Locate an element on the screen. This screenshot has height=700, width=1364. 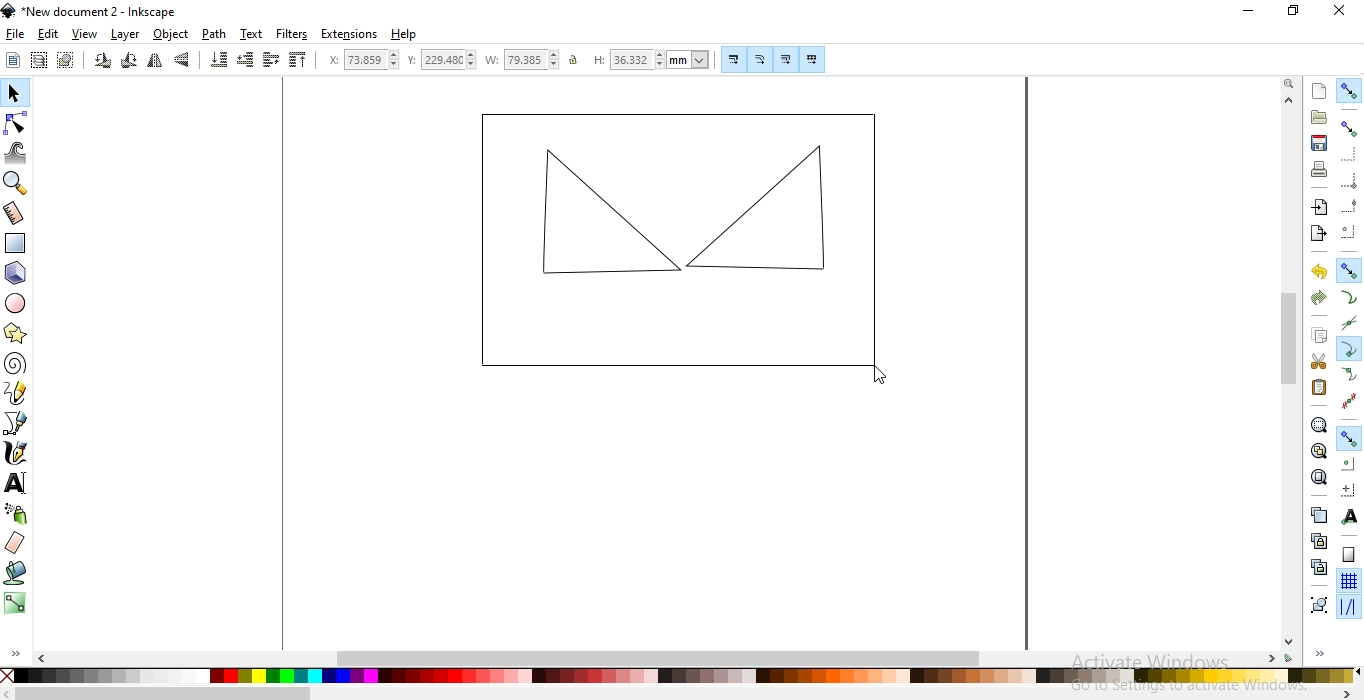
redo the action is located at coordinates (1320, 297).